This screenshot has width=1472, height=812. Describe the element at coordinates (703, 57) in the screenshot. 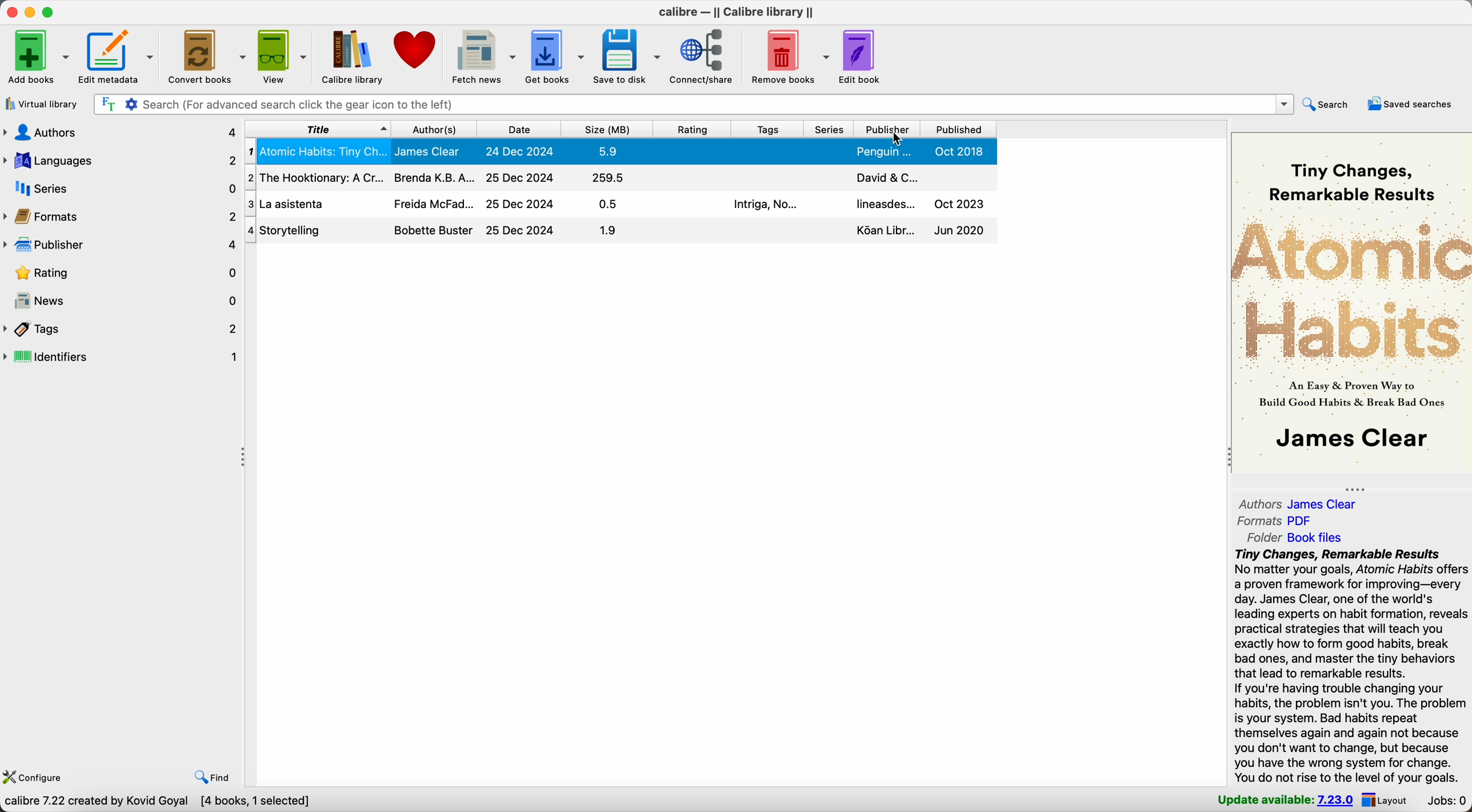

I see `connect/share` at that location.